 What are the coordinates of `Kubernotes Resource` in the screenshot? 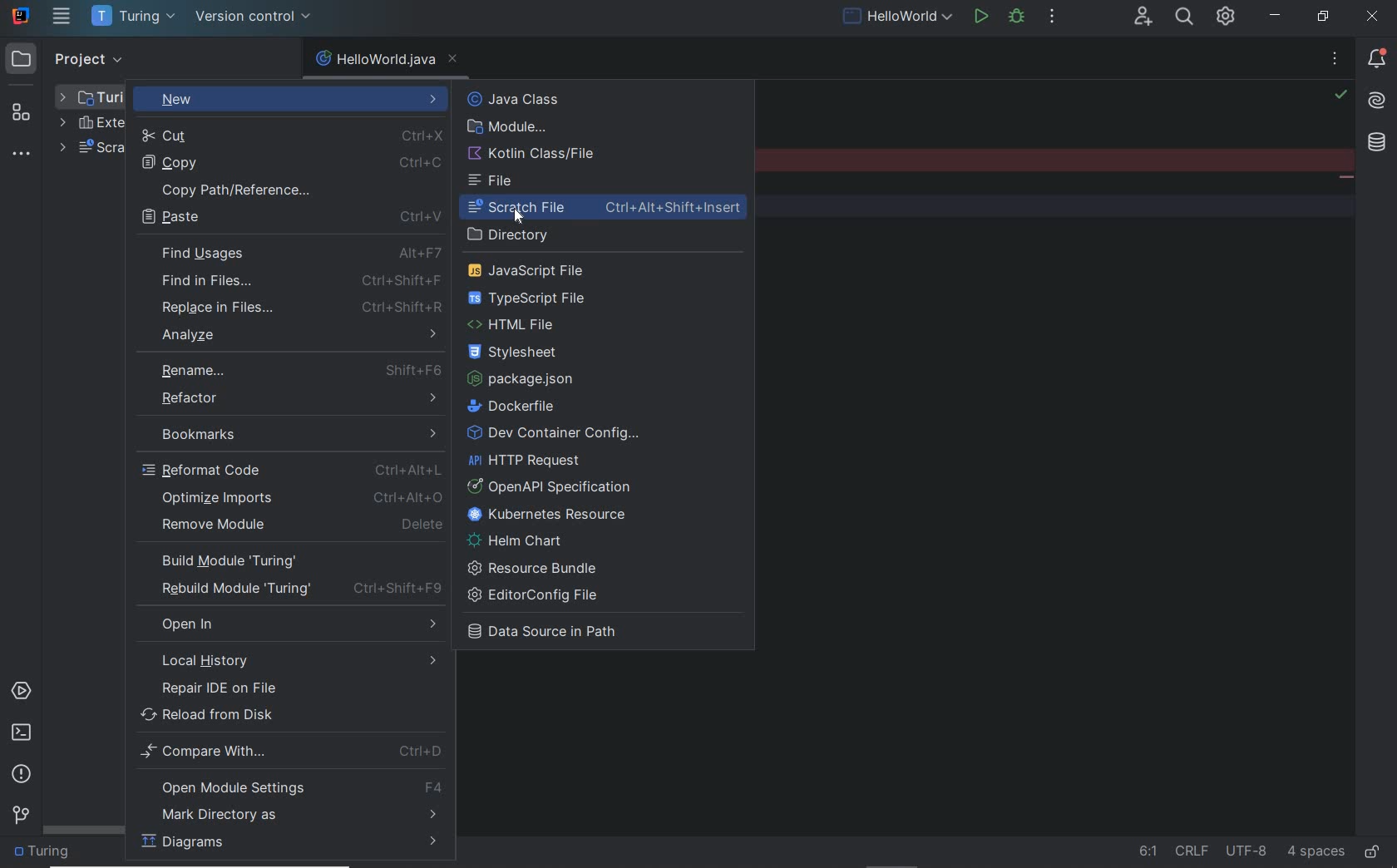 It's located at (552, 515).